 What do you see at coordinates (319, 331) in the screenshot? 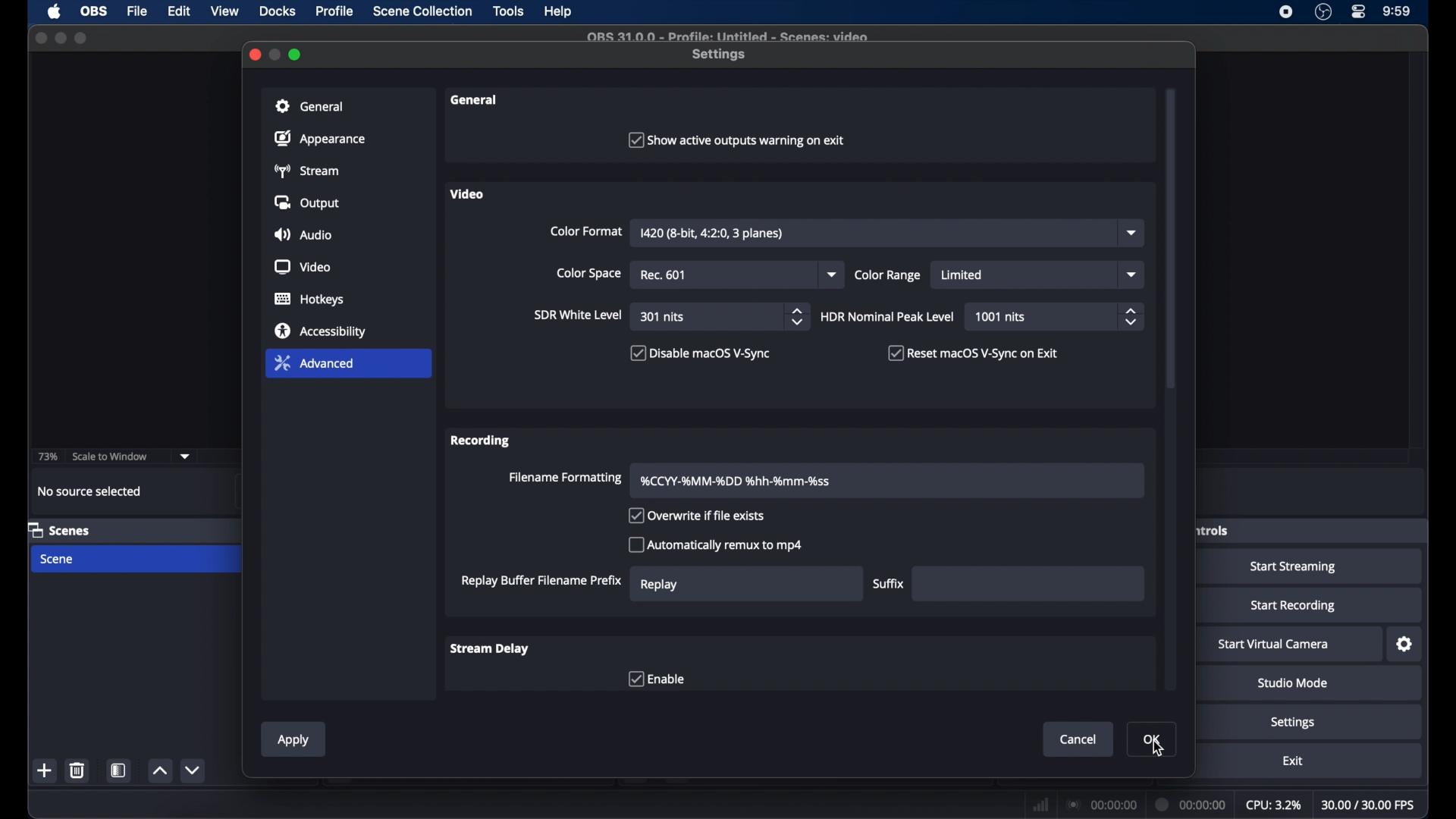
I see `accessibility` at bounding box center [319, 331].